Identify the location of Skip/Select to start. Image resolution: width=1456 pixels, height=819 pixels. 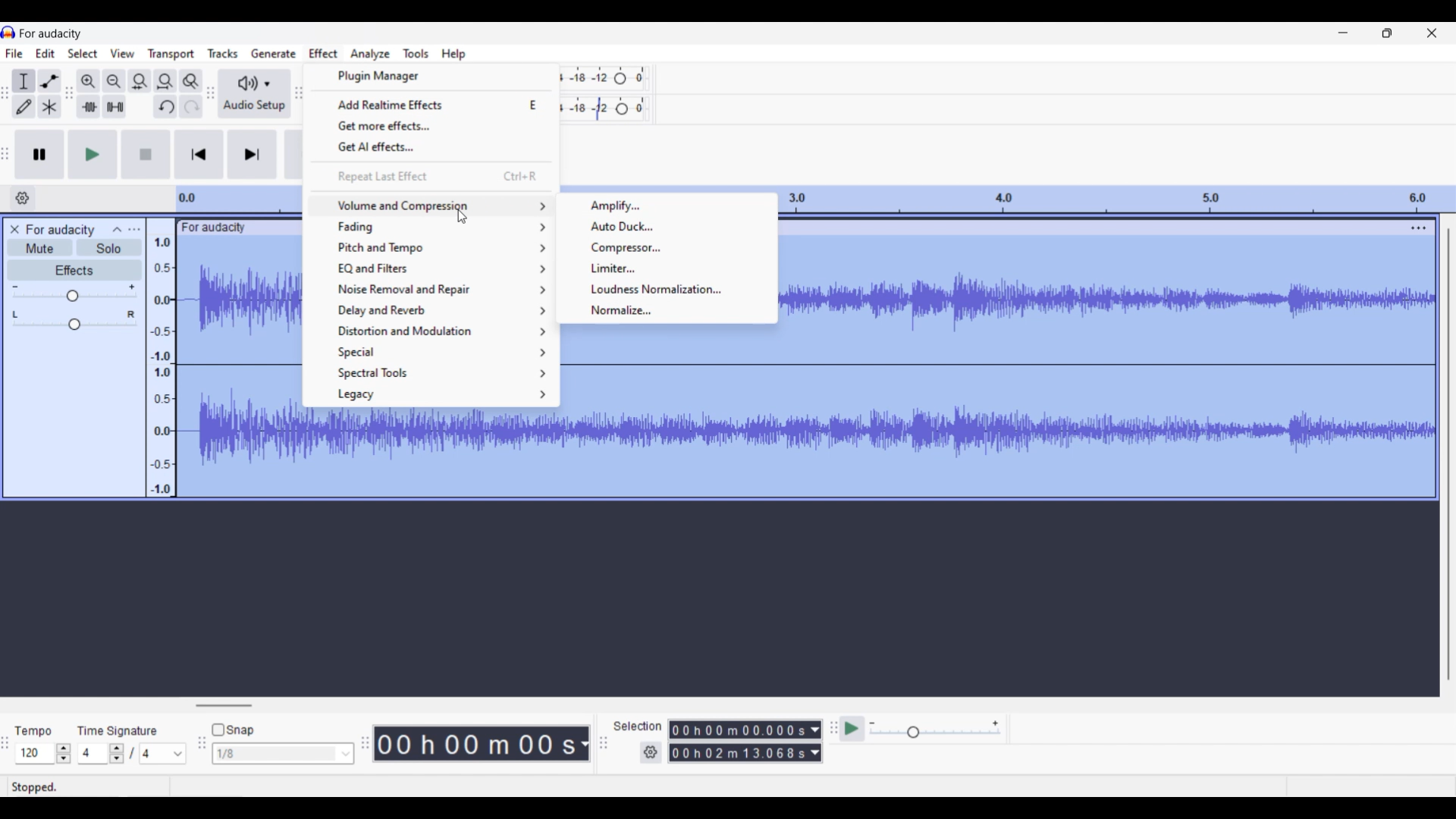
(199, 155).